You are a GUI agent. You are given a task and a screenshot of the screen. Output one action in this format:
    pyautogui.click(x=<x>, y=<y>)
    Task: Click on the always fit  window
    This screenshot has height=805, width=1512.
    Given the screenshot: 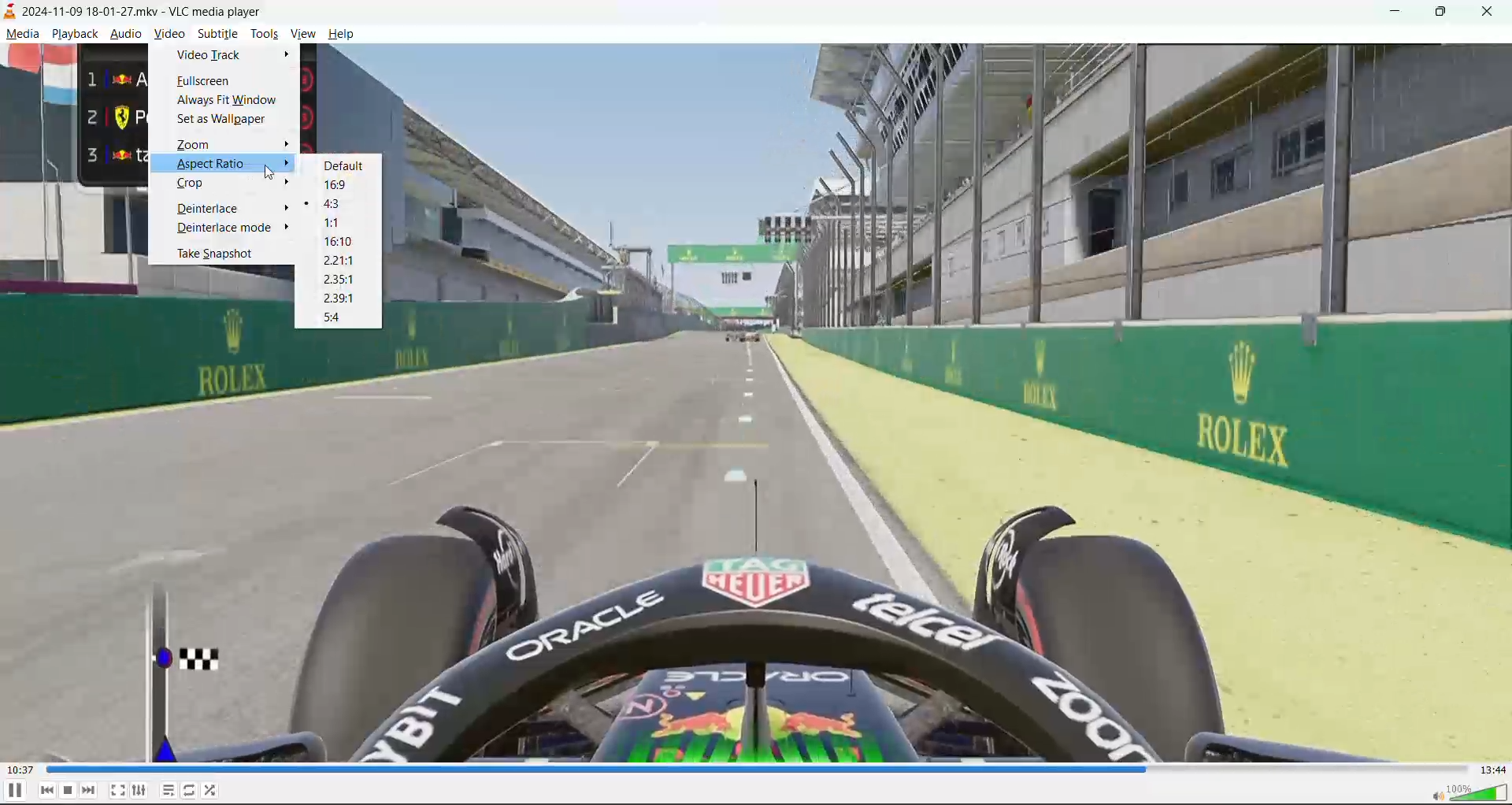 What is the action you would take?
    pyautogui.click(x=232, y=102)
    